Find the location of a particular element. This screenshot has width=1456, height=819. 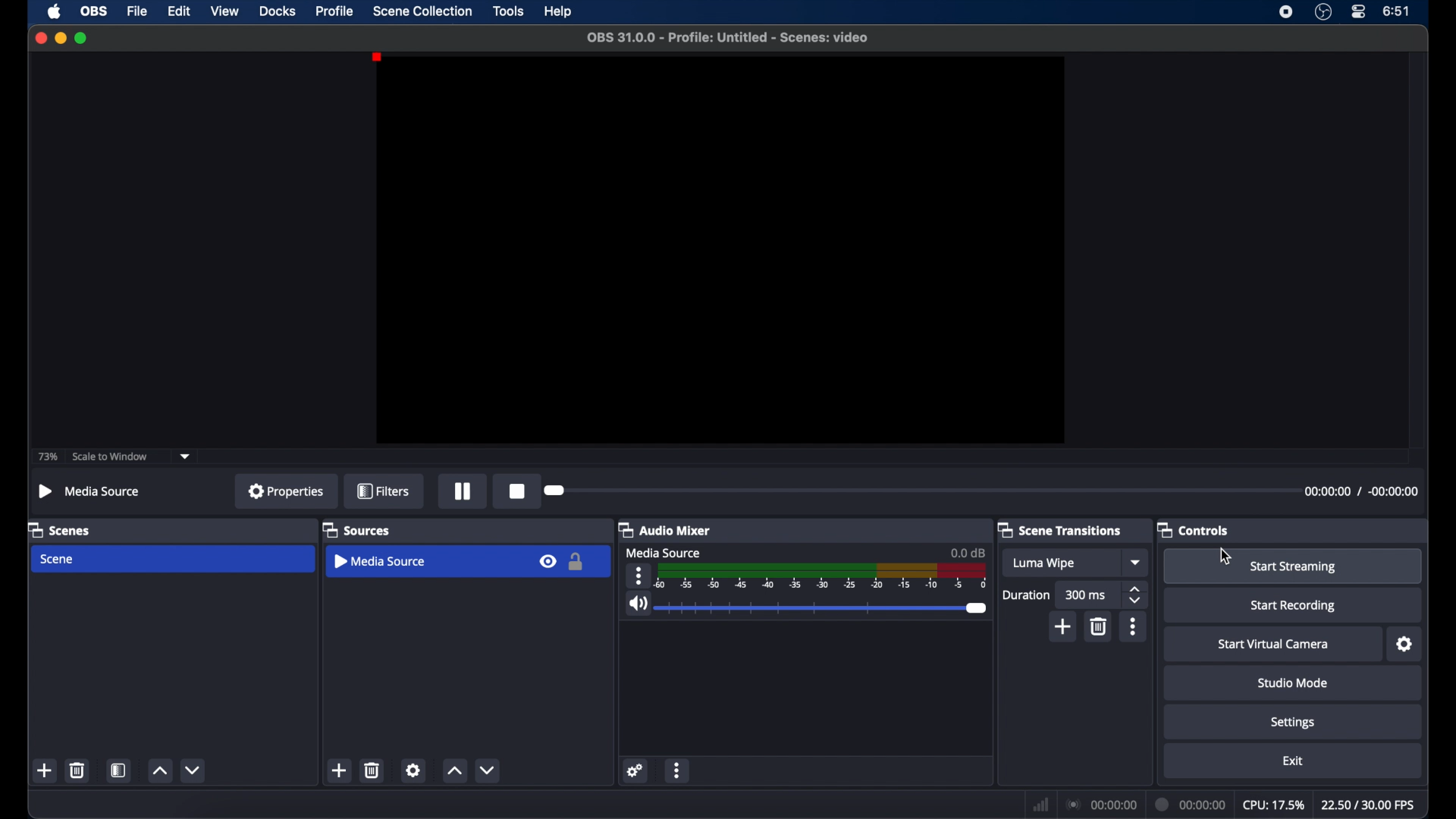

visibility is located at coordinates (547, 560).